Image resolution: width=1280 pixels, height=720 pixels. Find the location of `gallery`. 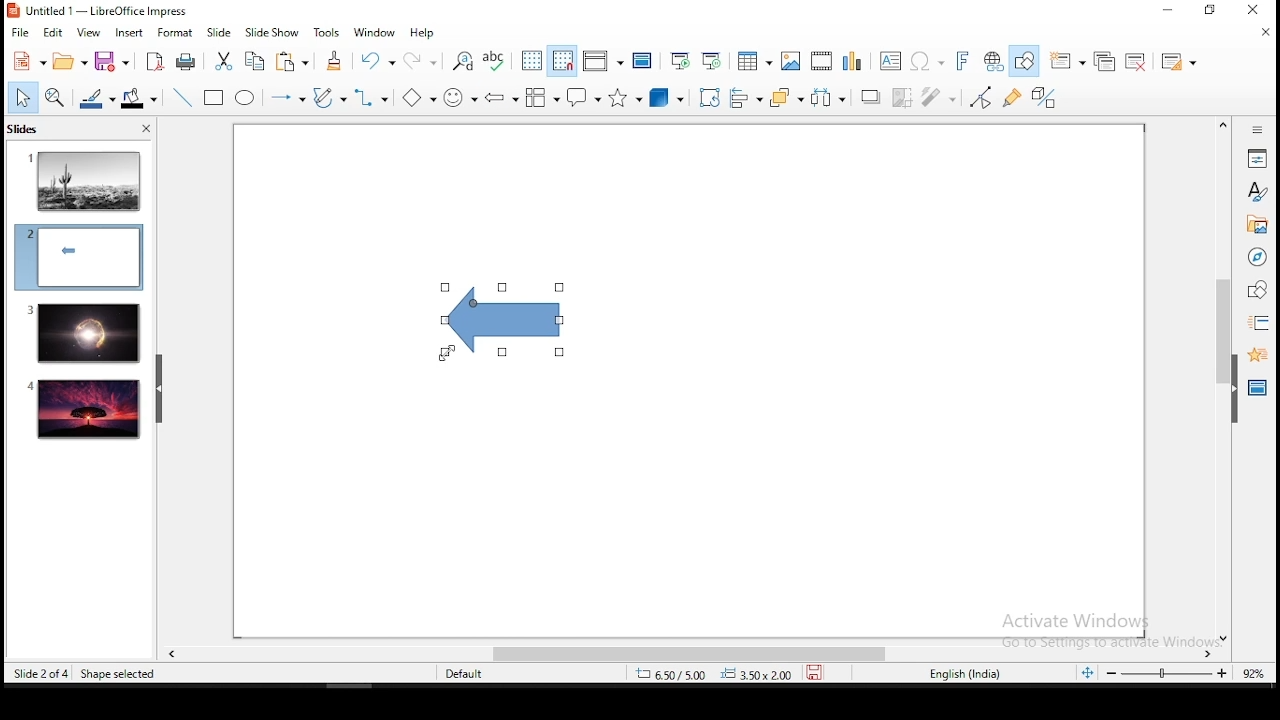

gallery is located at coordinates (1257, 227).